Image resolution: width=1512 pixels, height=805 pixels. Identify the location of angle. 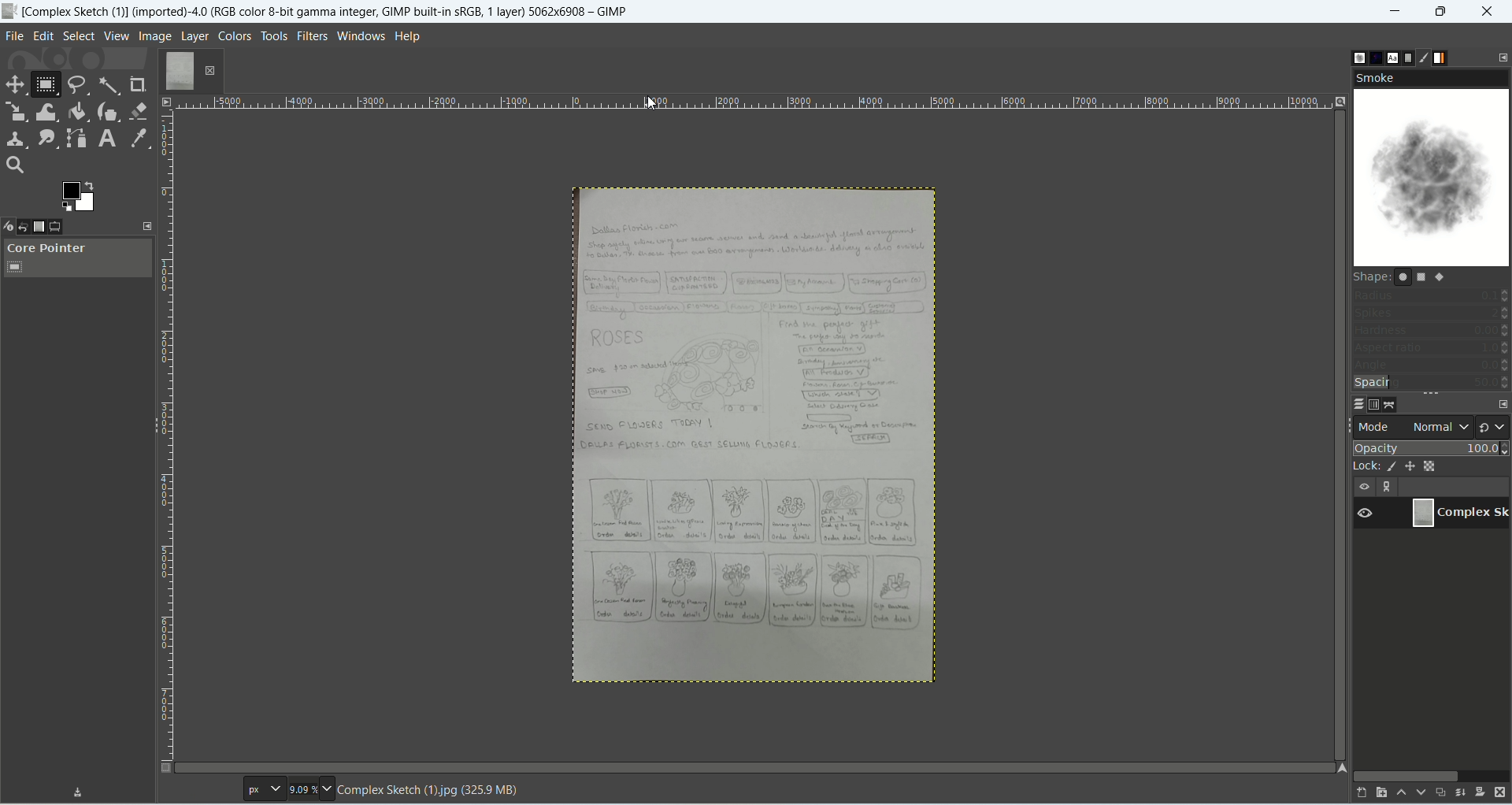
(1431, 364).